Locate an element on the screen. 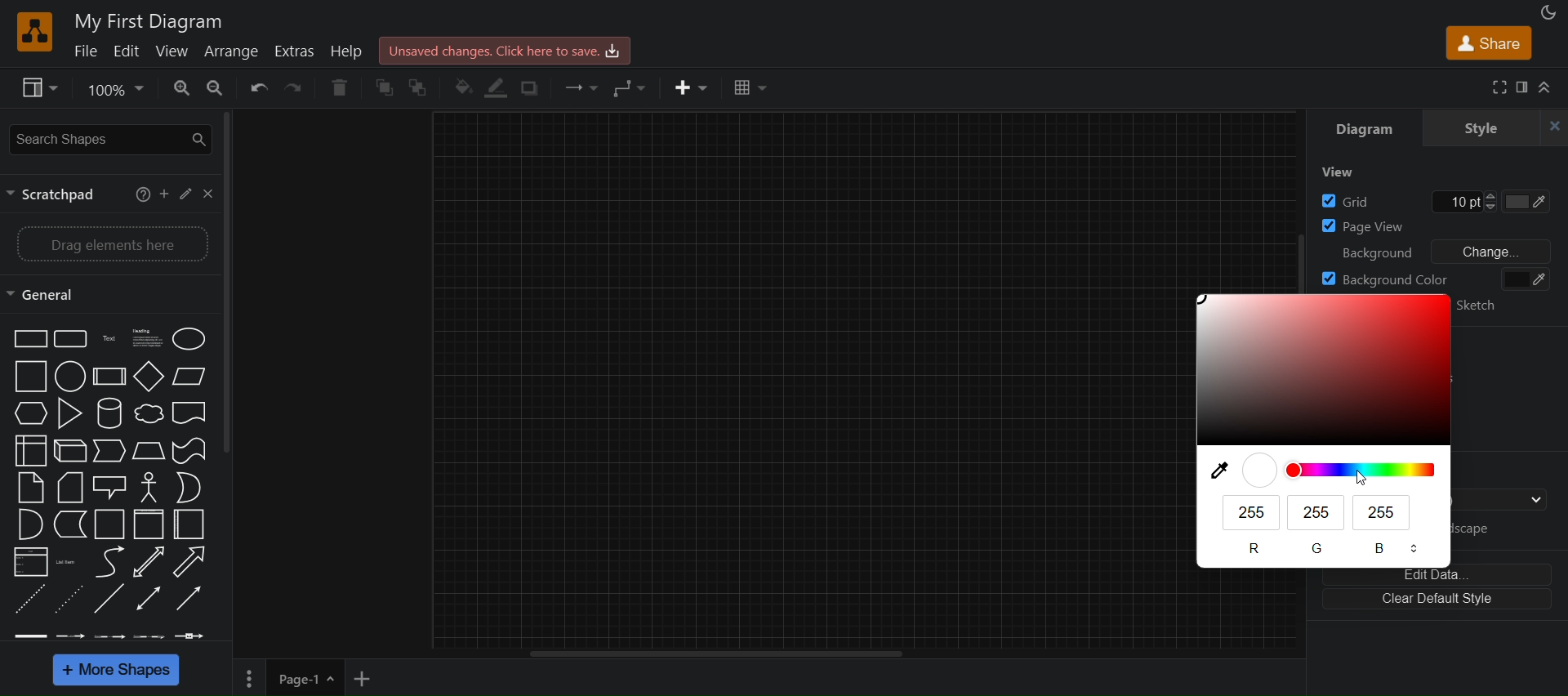 The width and height of the screenshot is (1568, 696). page 1 is located at coordinates (287, 677).